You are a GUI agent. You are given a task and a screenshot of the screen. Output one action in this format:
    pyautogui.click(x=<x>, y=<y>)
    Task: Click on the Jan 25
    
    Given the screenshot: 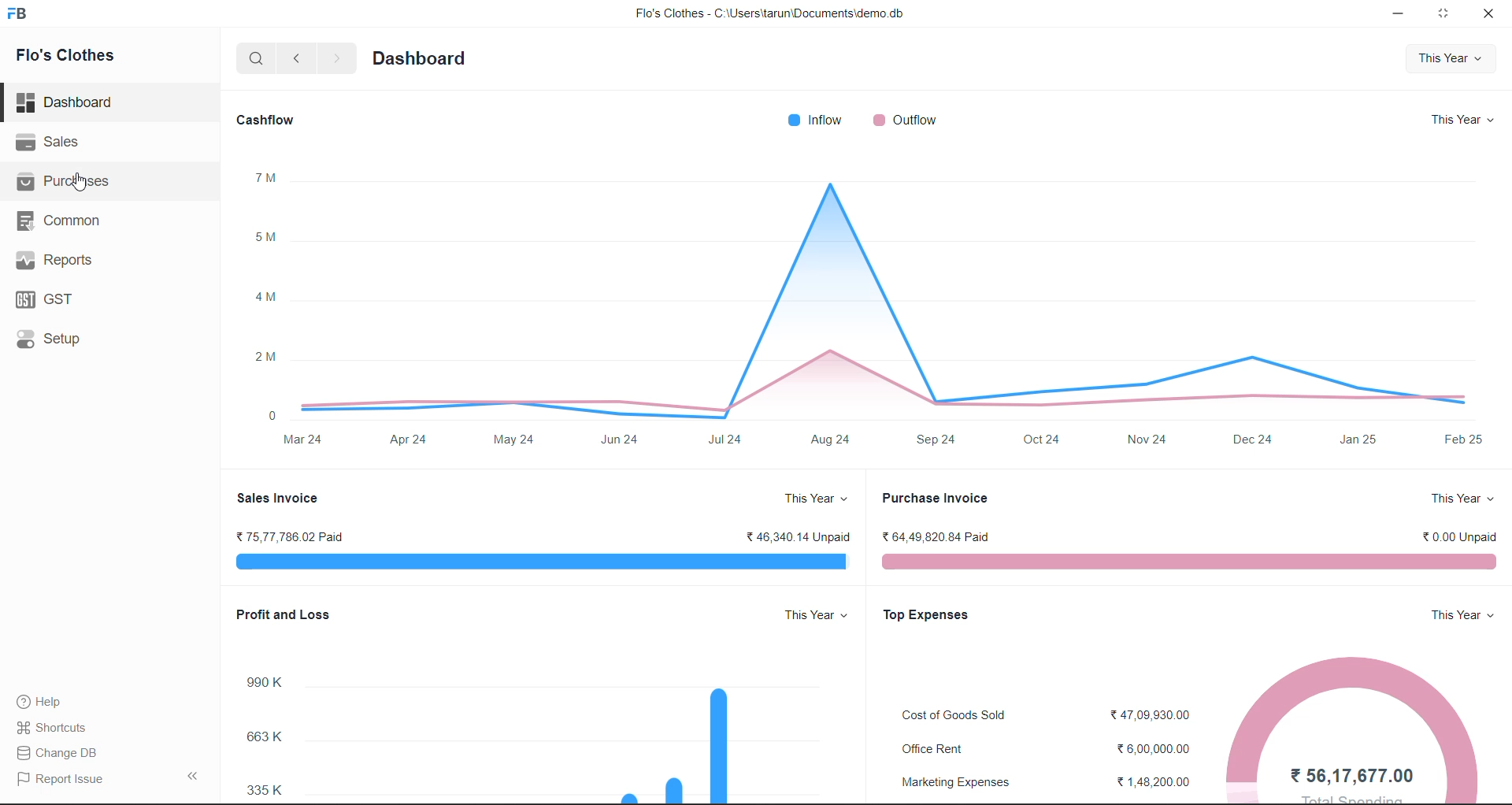 What is the action you would take?
    pyautogui.click(x=1359, y=442)
    